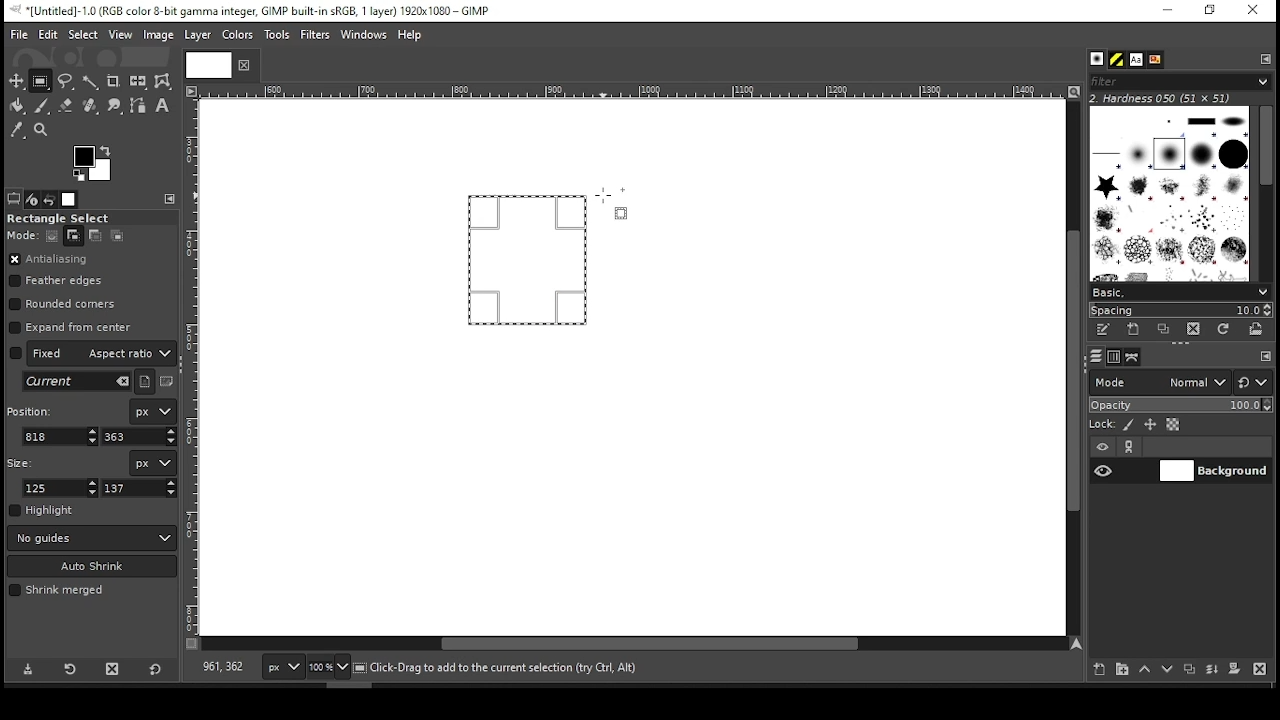 This screenshot has height=720, width=1280. What do you see at coordinates (1257, 329) in the screenshot?
I see `open brush as image` at bounding box center [1257, 329].